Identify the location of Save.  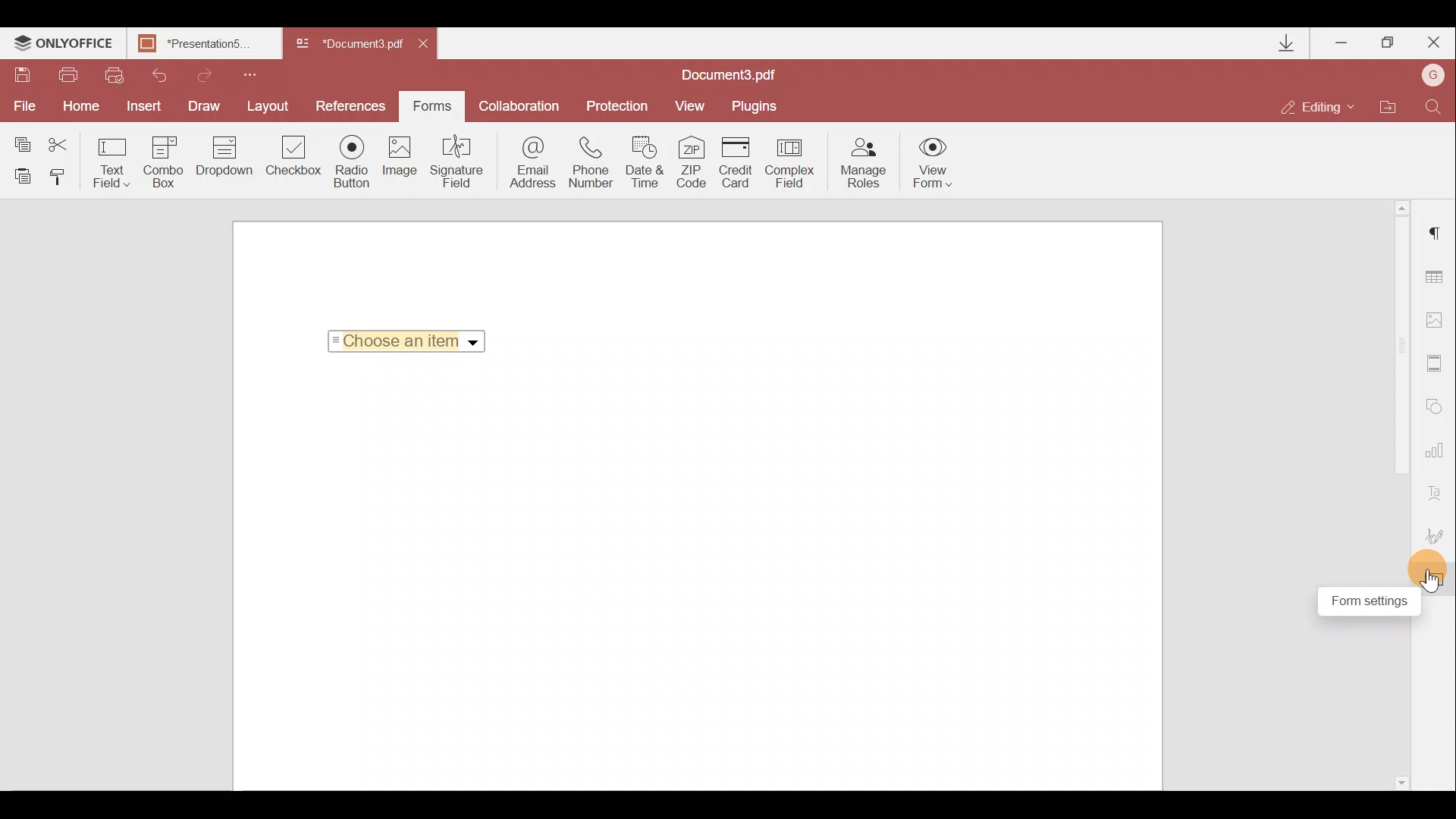
(21, 77).